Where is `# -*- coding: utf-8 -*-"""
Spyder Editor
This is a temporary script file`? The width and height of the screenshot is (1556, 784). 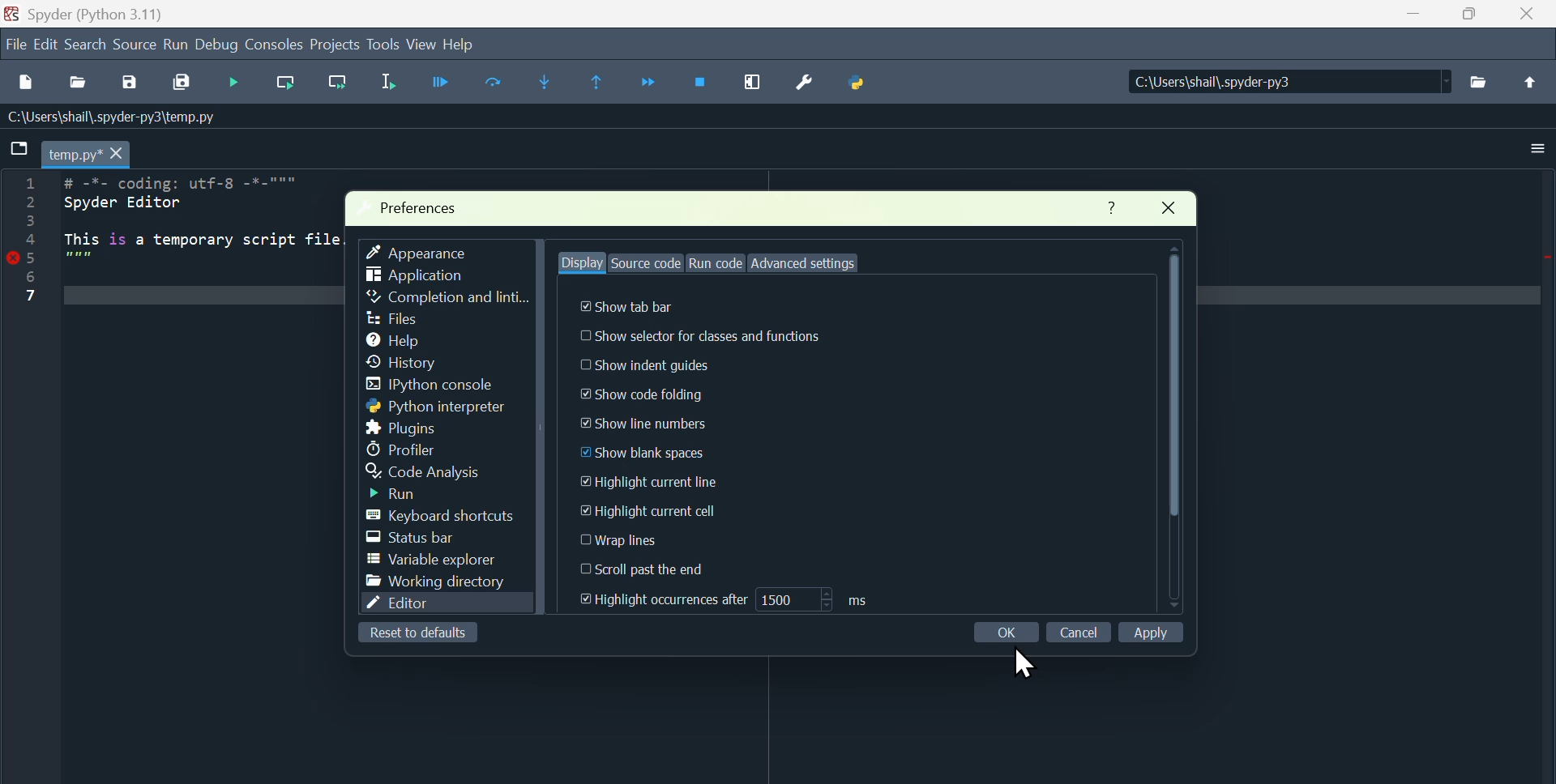 # -*- coding: utf-8 -*-"""
Spyder Editor
This is a temporary script file is located at coordinates (205, 231).